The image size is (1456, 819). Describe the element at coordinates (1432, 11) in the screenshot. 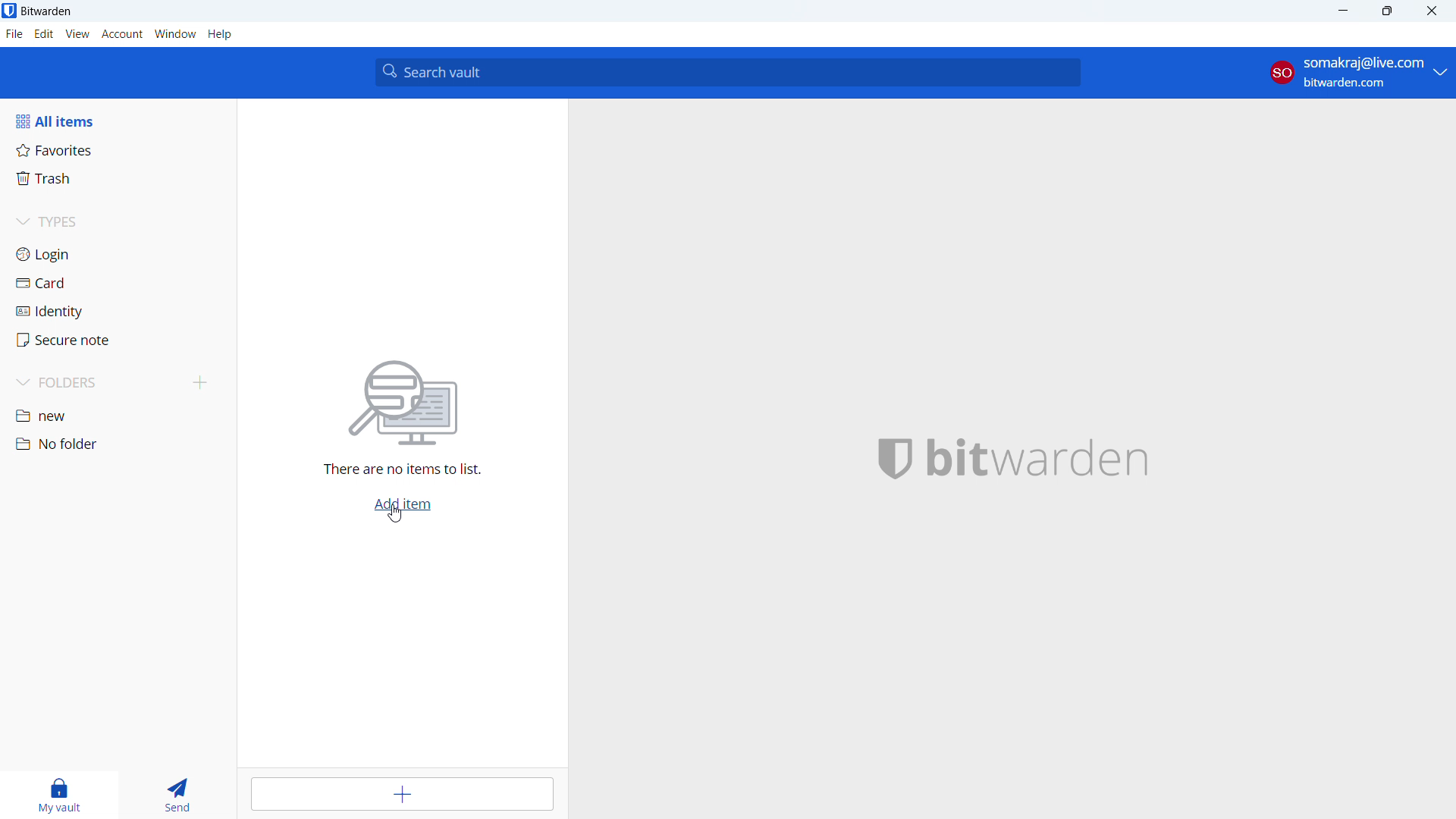

I see `close` at that location.